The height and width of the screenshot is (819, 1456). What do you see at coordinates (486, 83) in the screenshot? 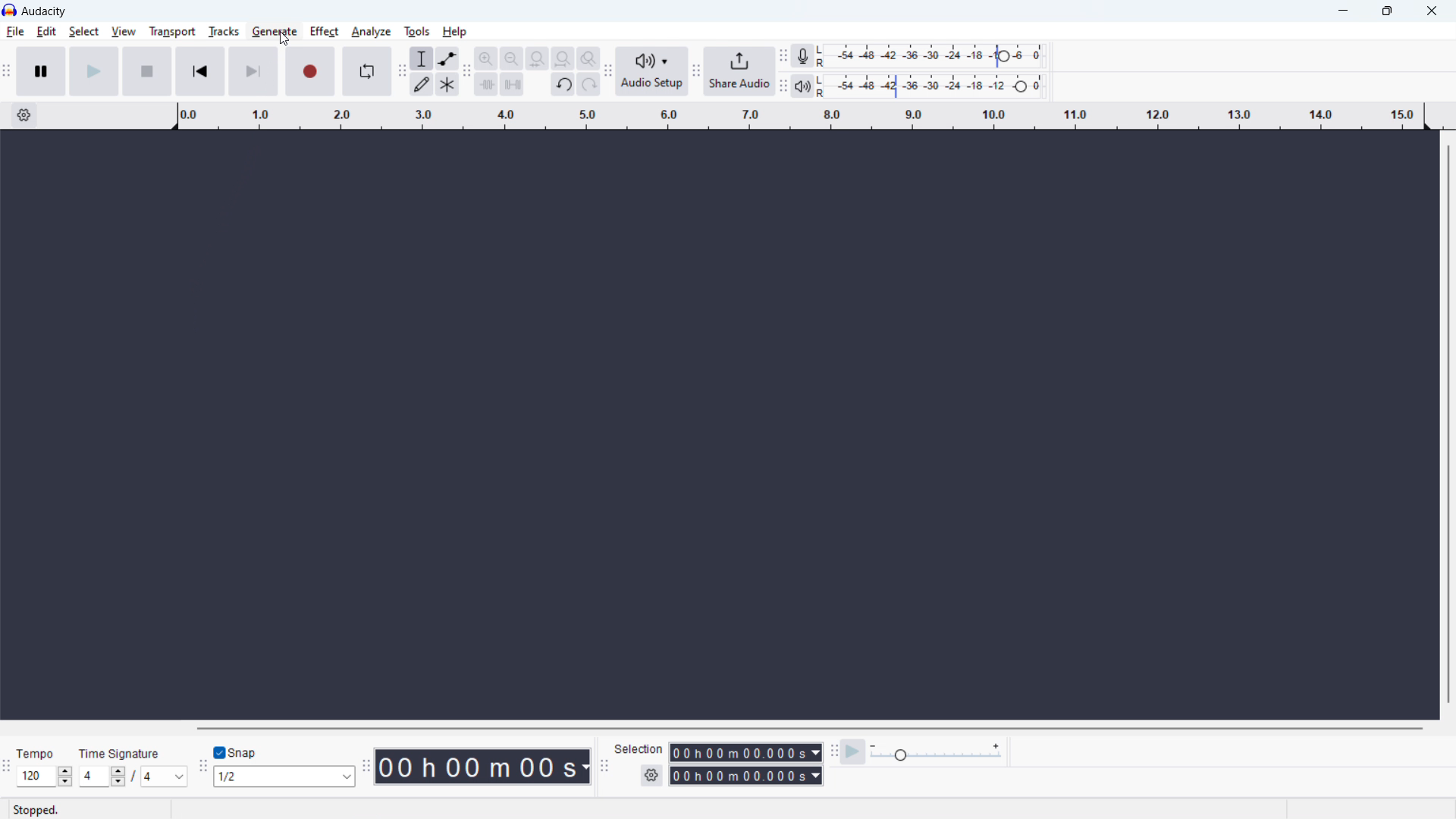
I see `trim audio outside selection` at bounding box center [486, 83].